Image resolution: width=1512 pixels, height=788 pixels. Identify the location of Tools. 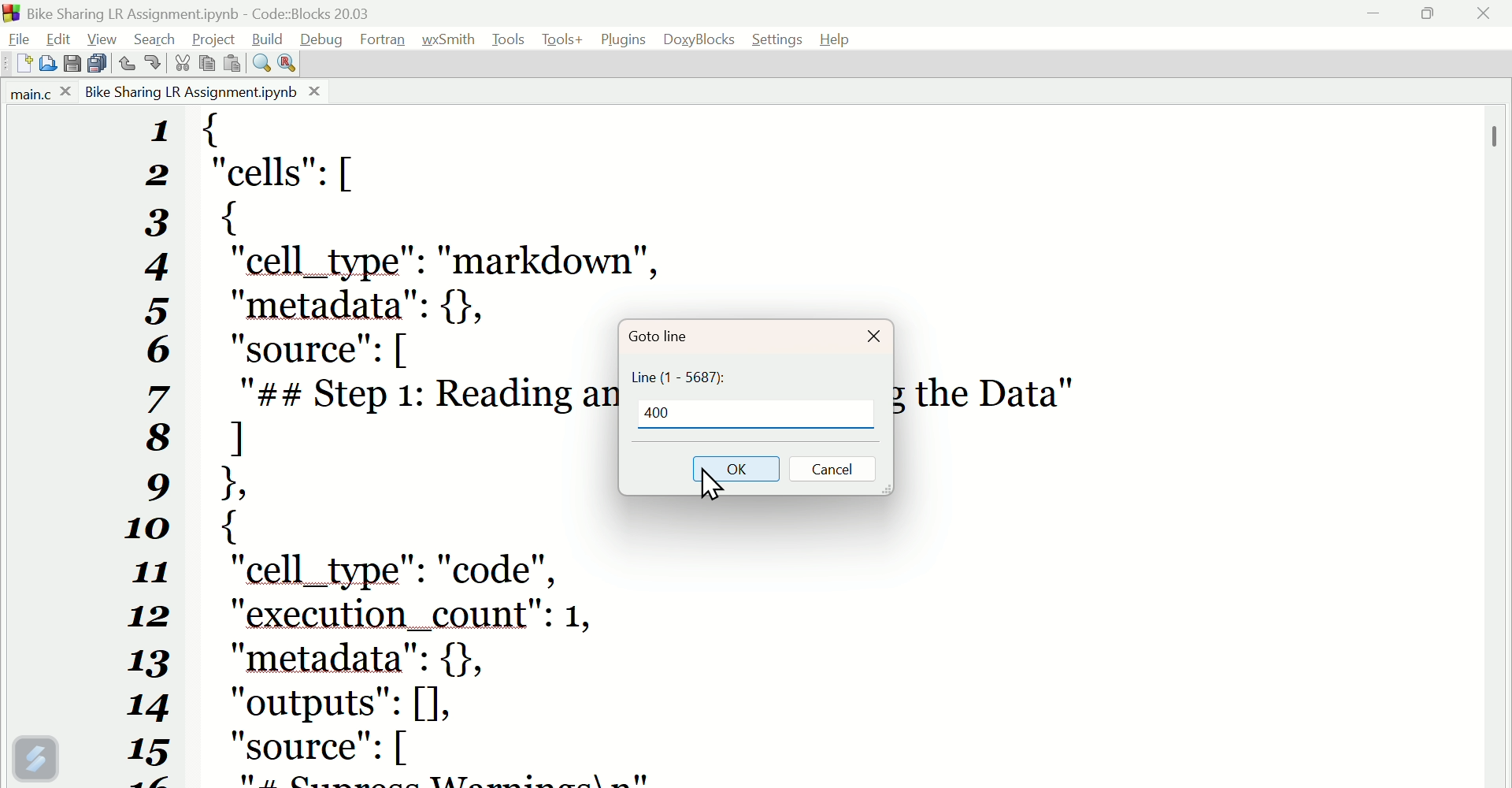
(561, 39).